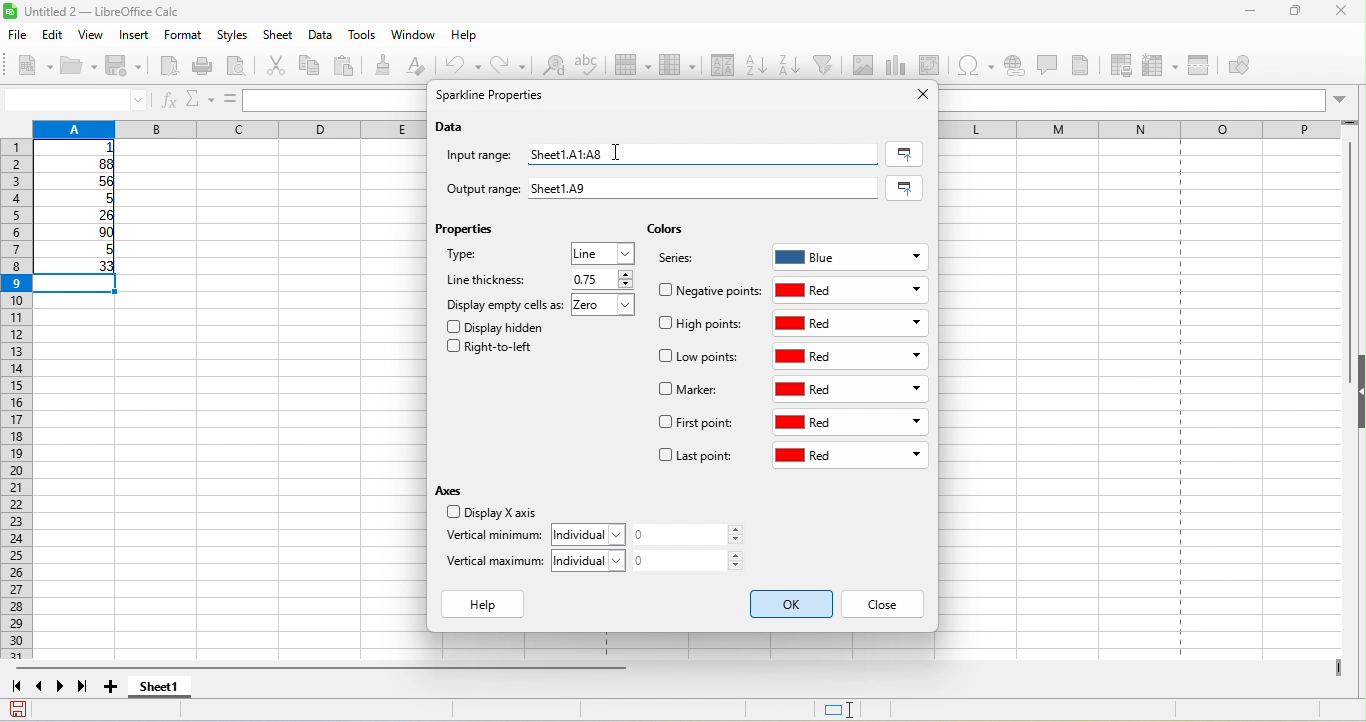  I want to click on cut, so click(277, 67).